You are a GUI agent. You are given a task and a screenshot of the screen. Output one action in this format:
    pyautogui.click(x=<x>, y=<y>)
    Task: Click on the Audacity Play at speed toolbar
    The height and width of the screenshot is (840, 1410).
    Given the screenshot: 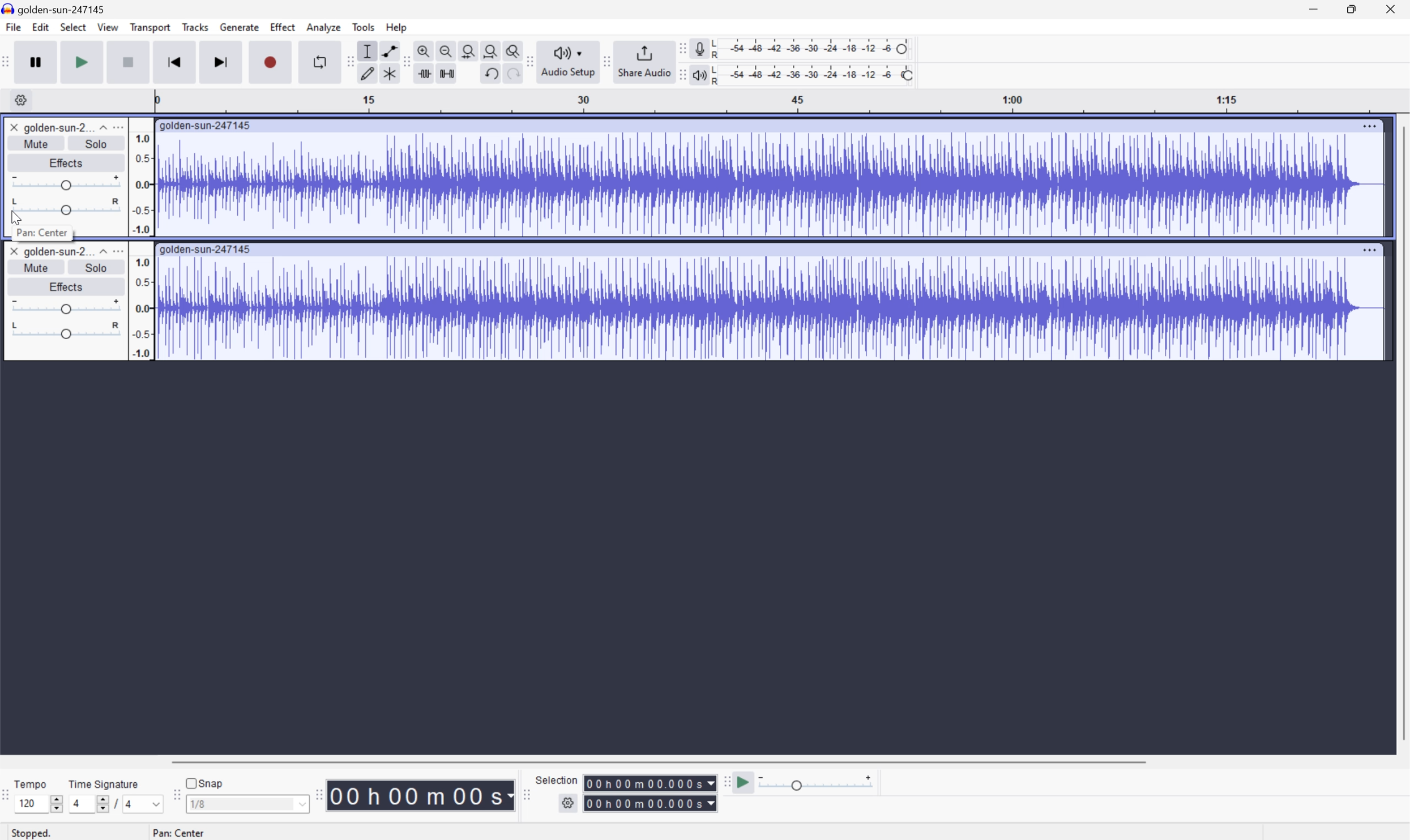 What is the action you would take?
    pyautogui.click(x=724, y=780)
    